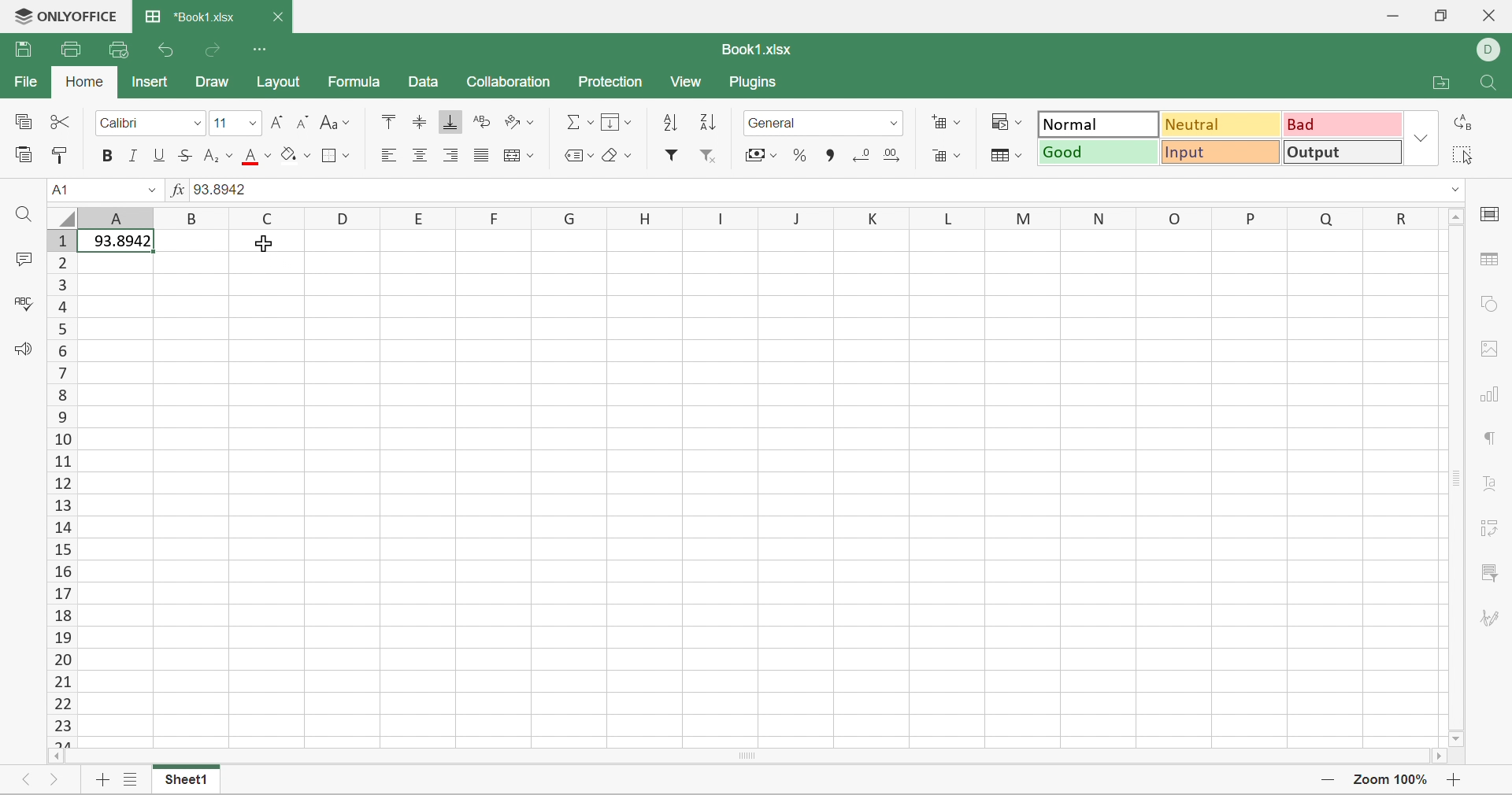  I want to click on Strikethrough, so click(187, 154).